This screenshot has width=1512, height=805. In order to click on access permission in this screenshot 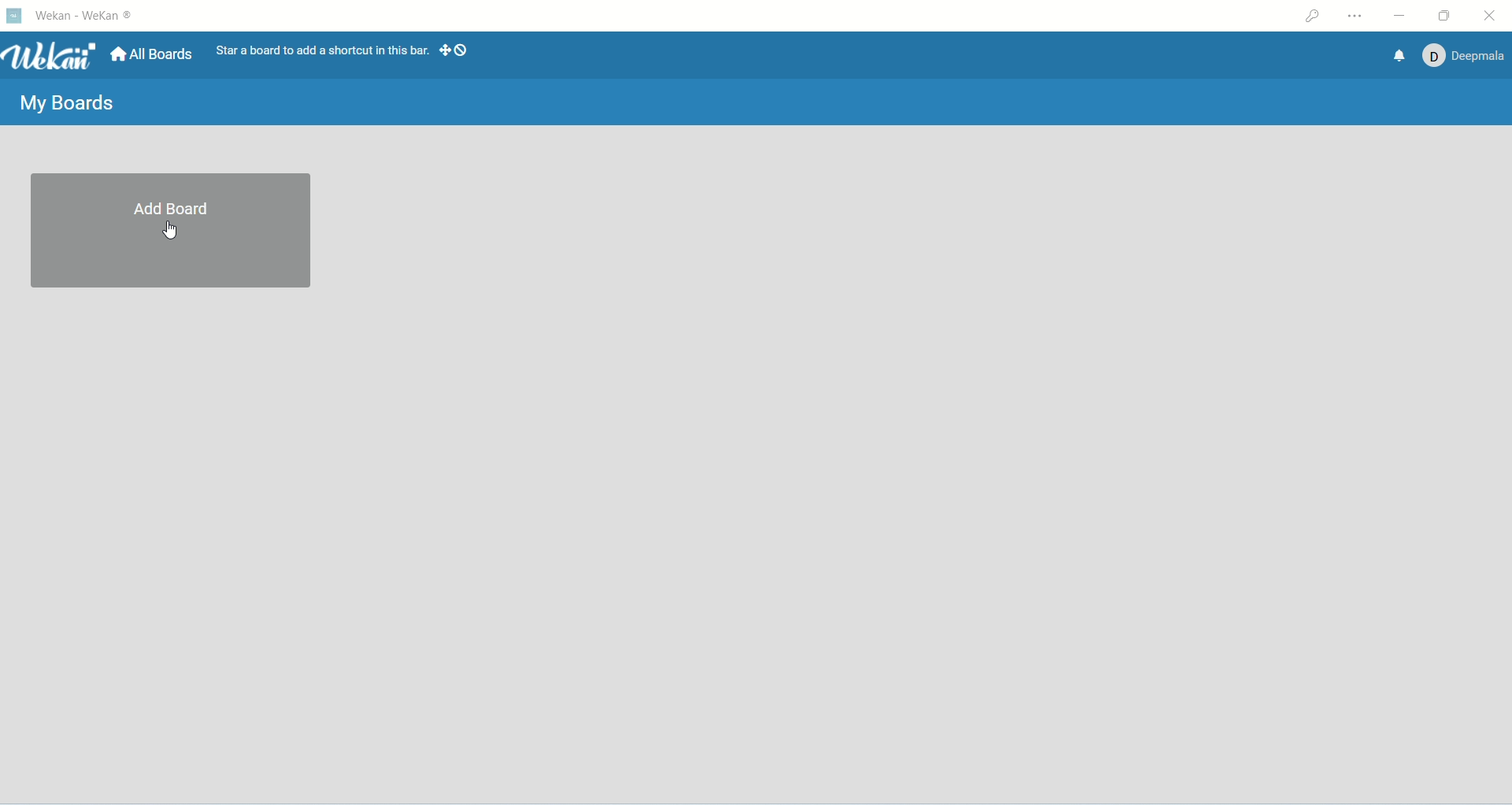, I will do `click(1313, 16)`.